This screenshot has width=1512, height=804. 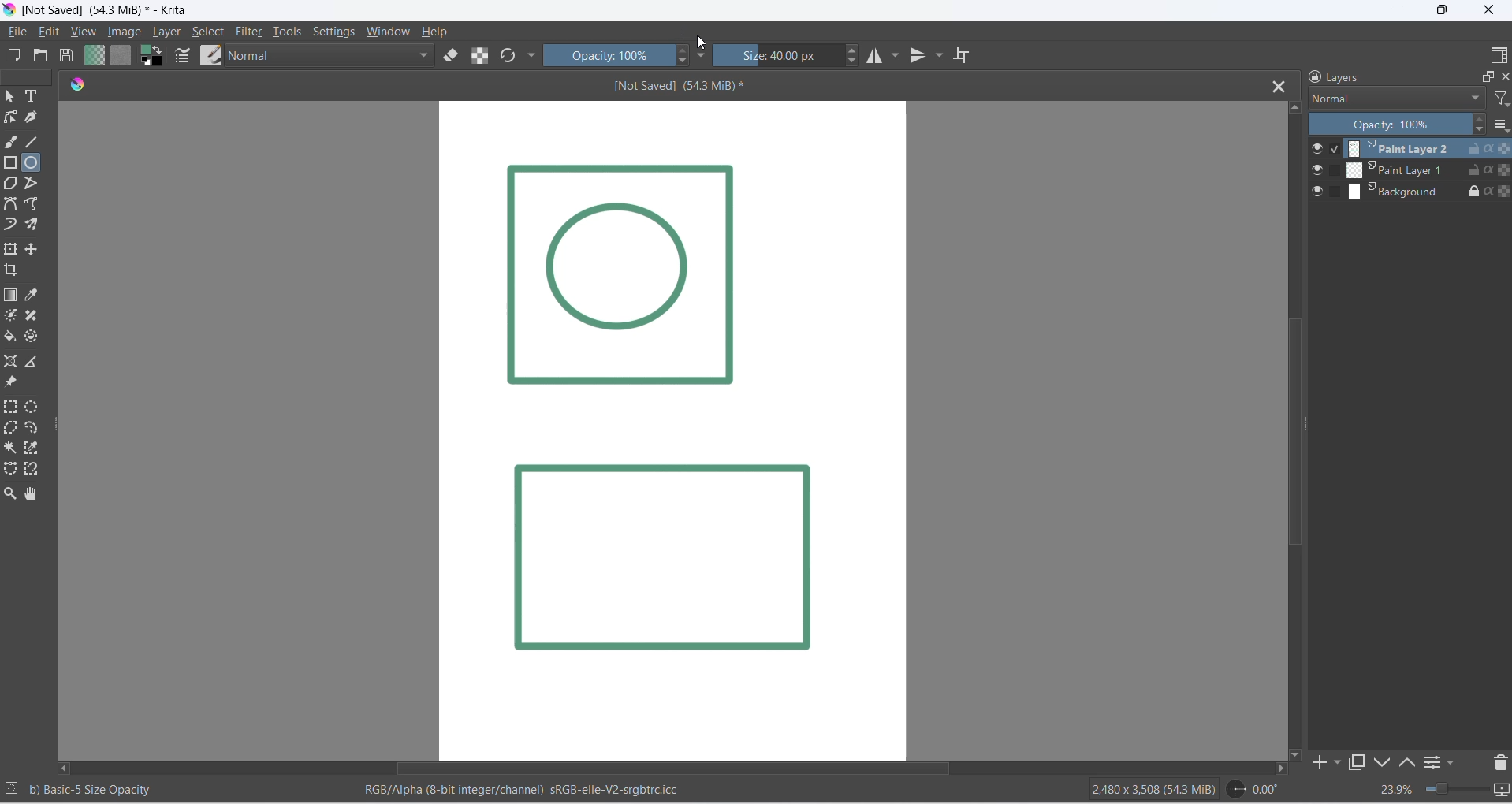 I want to click on polygon tool, so click(x=13, y=184).